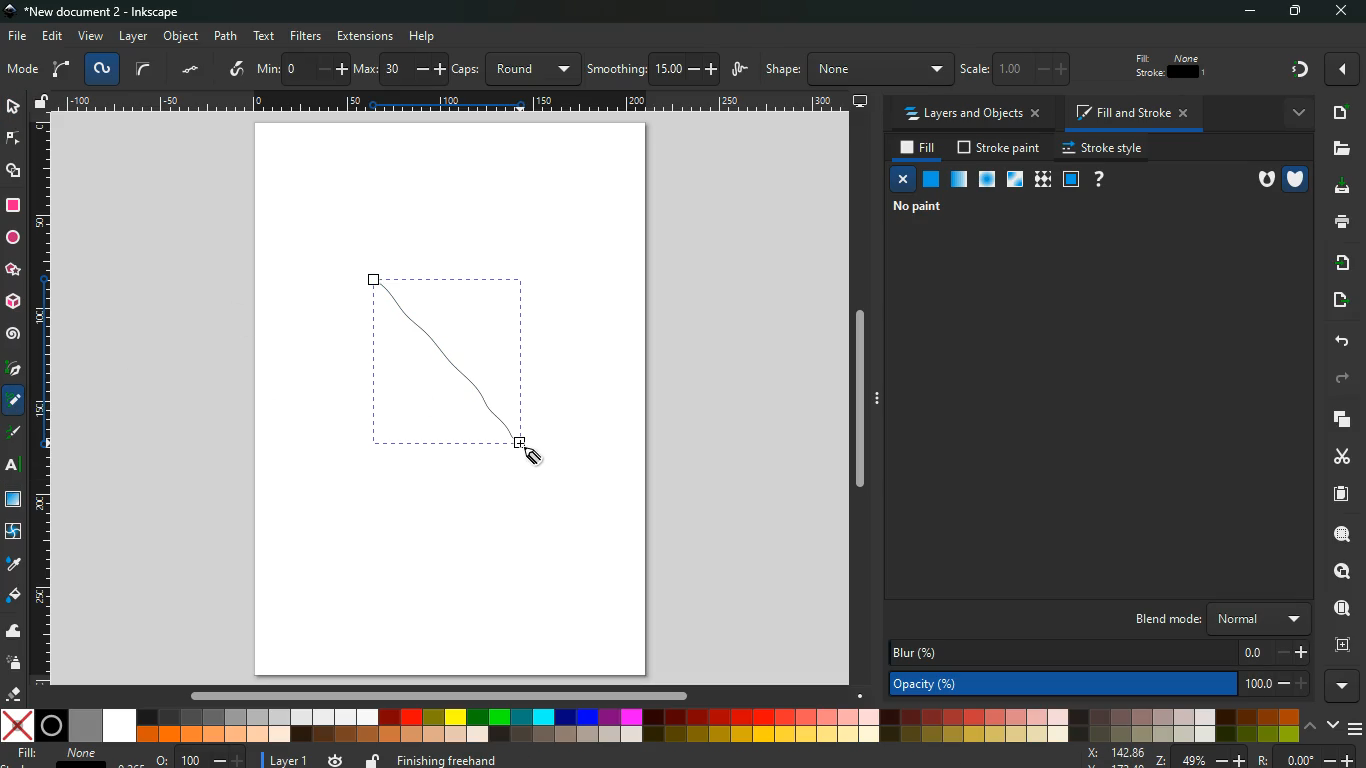 This screenshot has height=768, width=1366. Describe the element at coordinates (14, 404) in the screenshot. I see `pencil tool` at that location.